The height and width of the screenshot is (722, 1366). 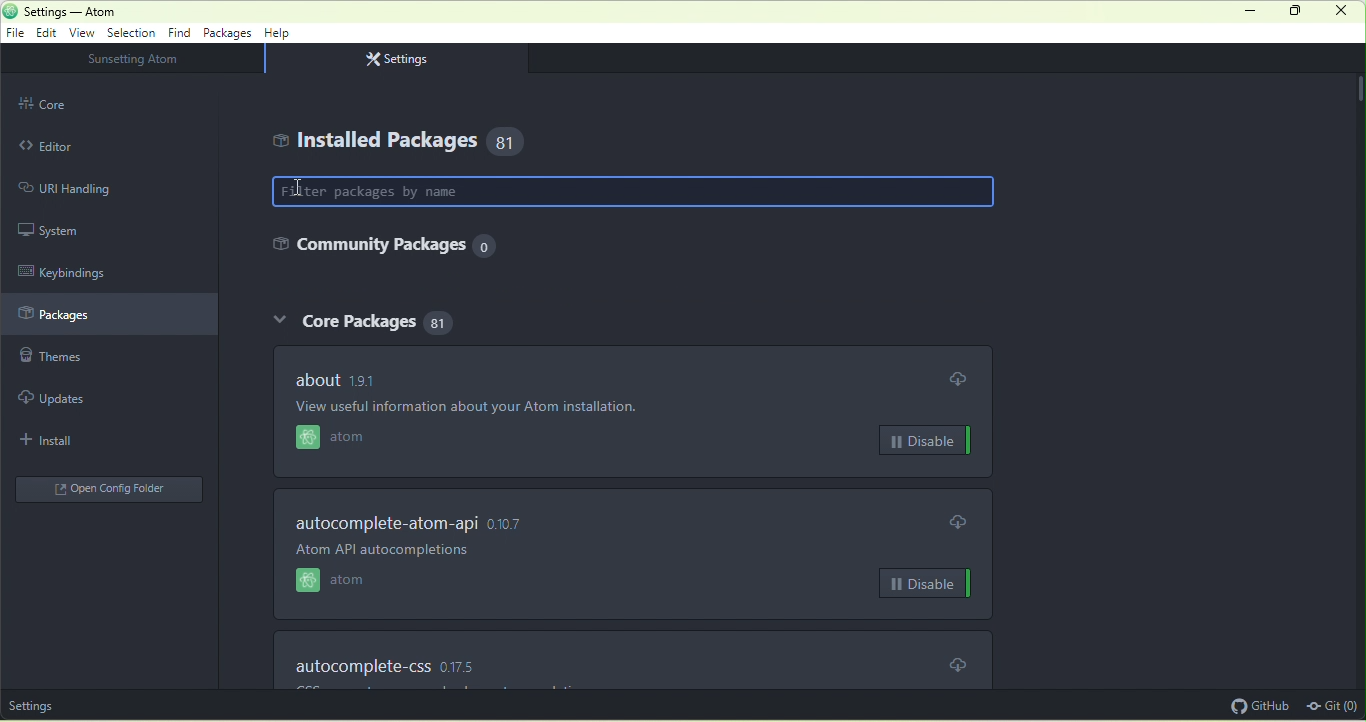 What do you see at coordinates (408, 555) in the screenshot?
I see `atom api autocompletions` at bounding box center [408, 555].